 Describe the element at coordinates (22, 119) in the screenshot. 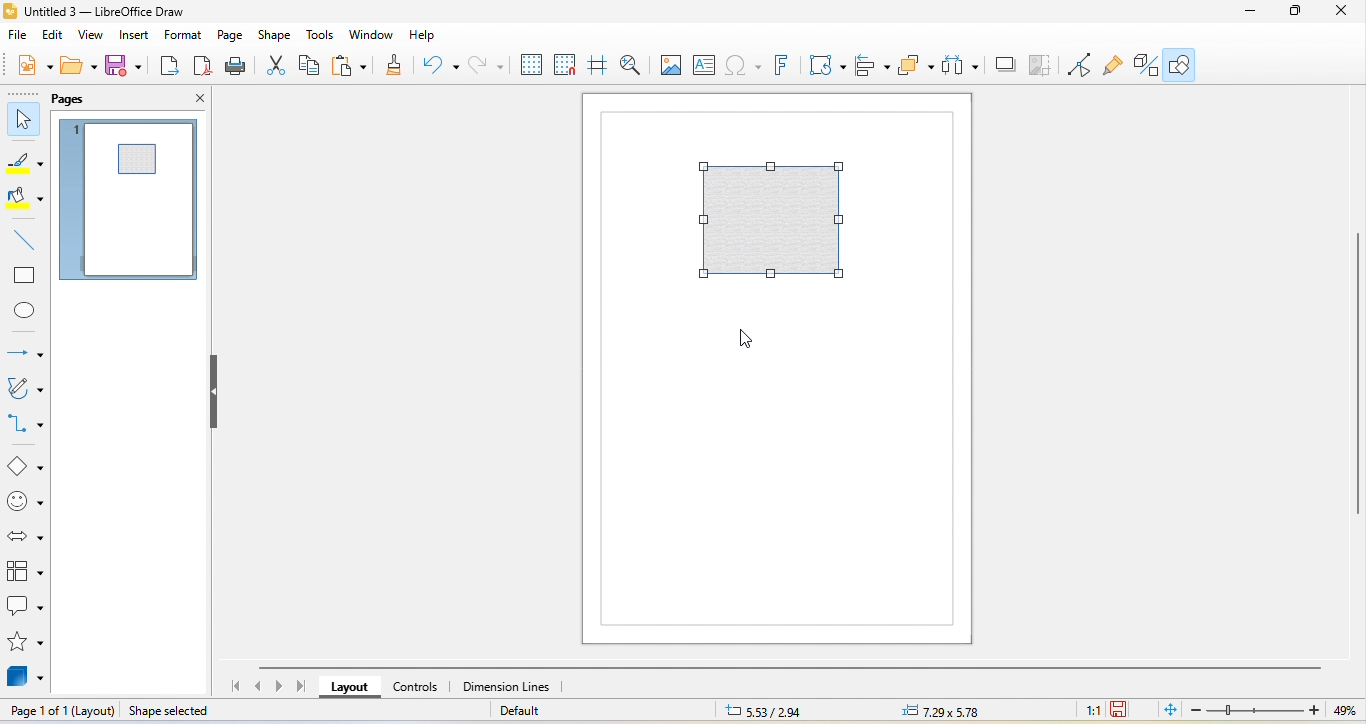

I see `select` at that location.